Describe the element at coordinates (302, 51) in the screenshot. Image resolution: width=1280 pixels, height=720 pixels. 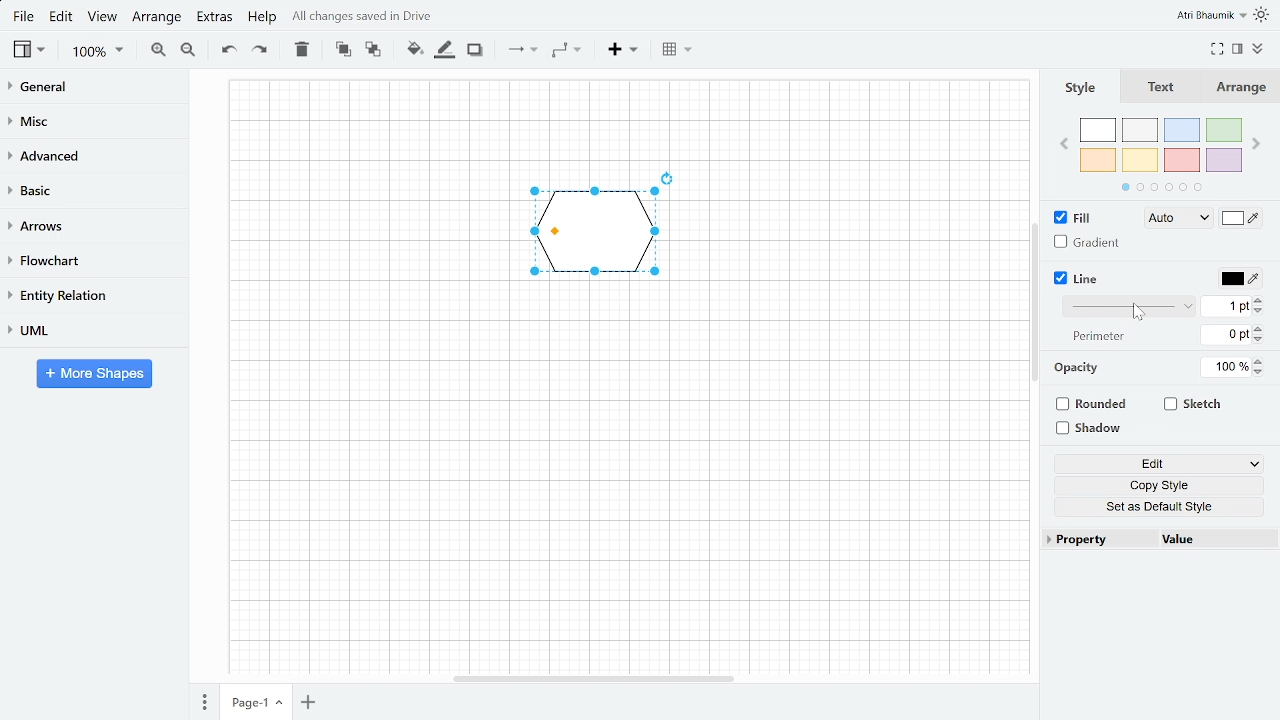
I see `Delete` at that location.